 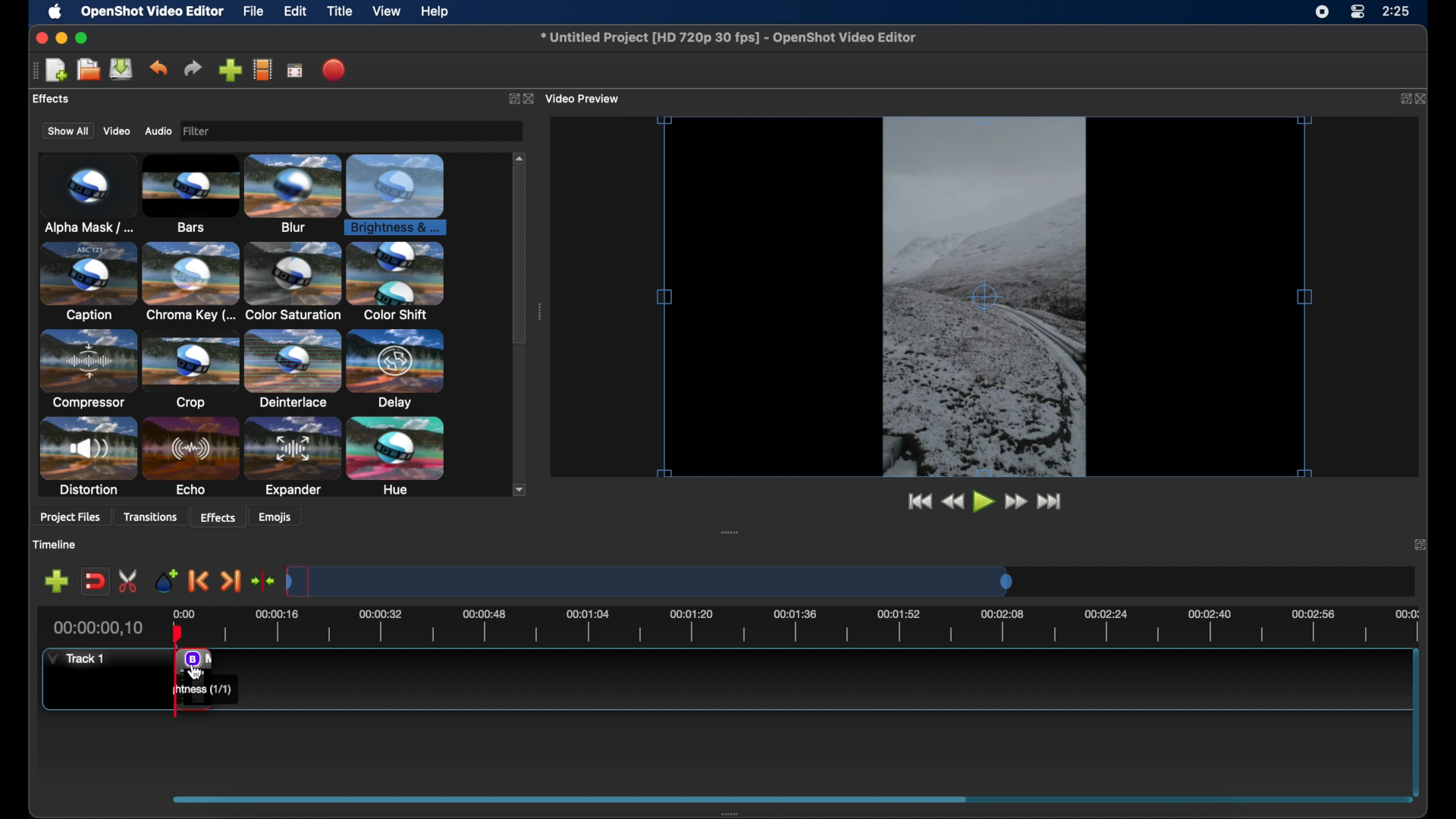 I want to click on effects, so click(x=51, y=99).